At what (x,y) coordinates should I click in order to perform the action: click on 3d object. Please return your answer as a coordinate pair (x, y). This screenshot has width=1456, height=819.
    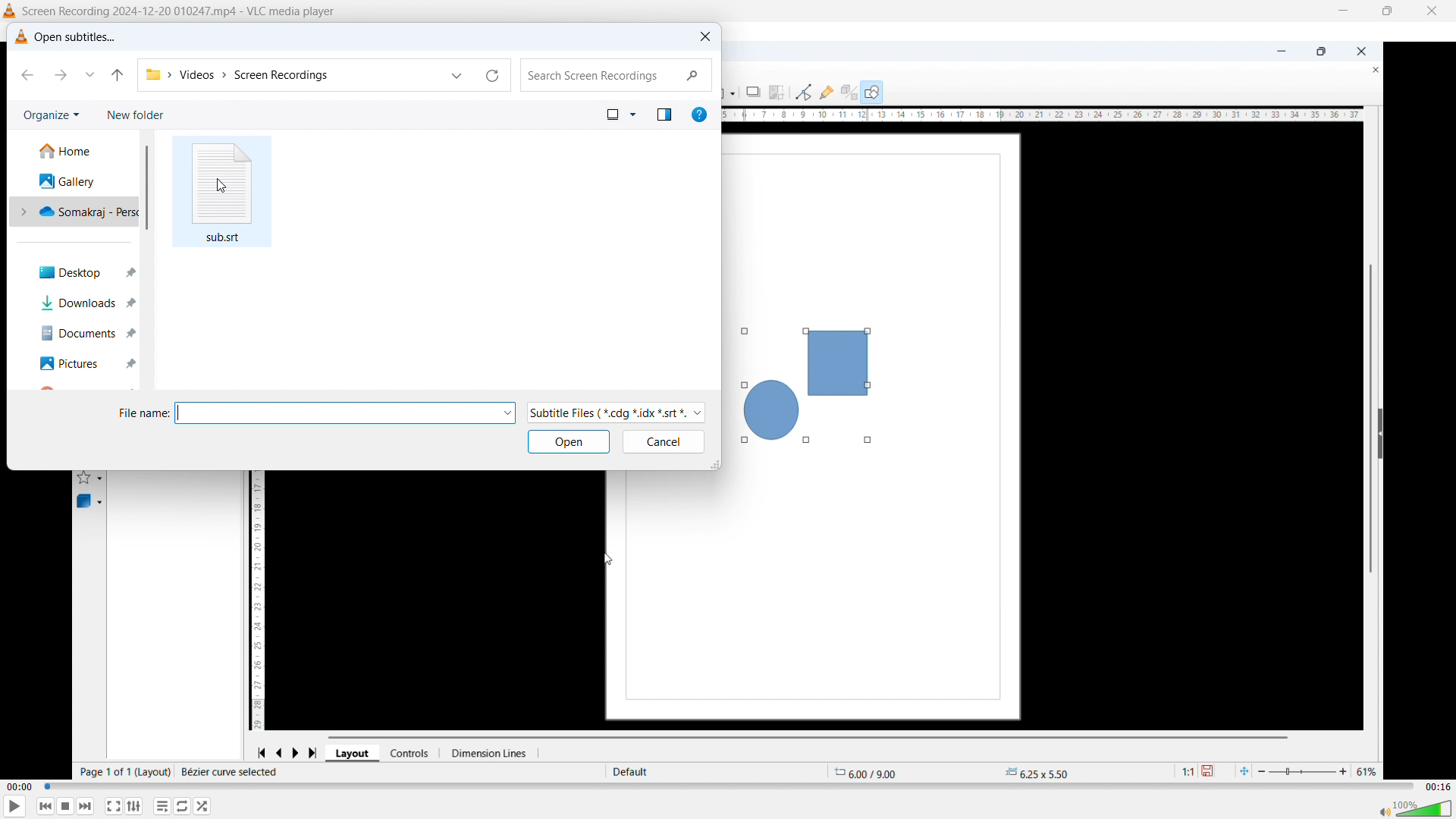
    Looking at the image, I should click on (90, 502).